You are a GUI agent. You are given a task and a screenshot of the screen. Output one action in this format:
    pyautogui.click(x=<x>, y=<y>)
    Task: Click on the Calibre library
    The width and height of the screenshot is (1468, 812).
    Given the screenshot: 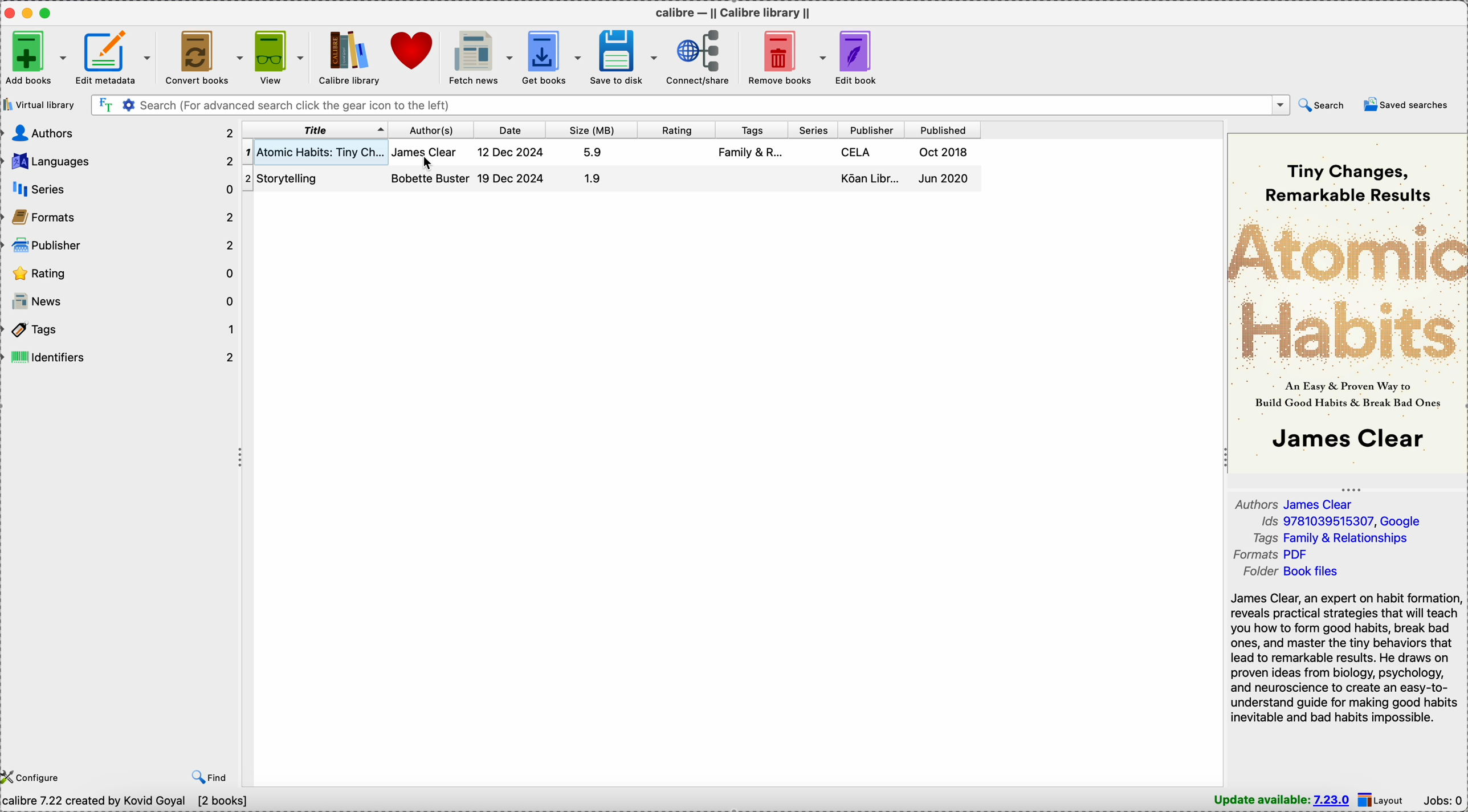 What is the action you would take?
    pyautogui.click(x=349, y=56)
    